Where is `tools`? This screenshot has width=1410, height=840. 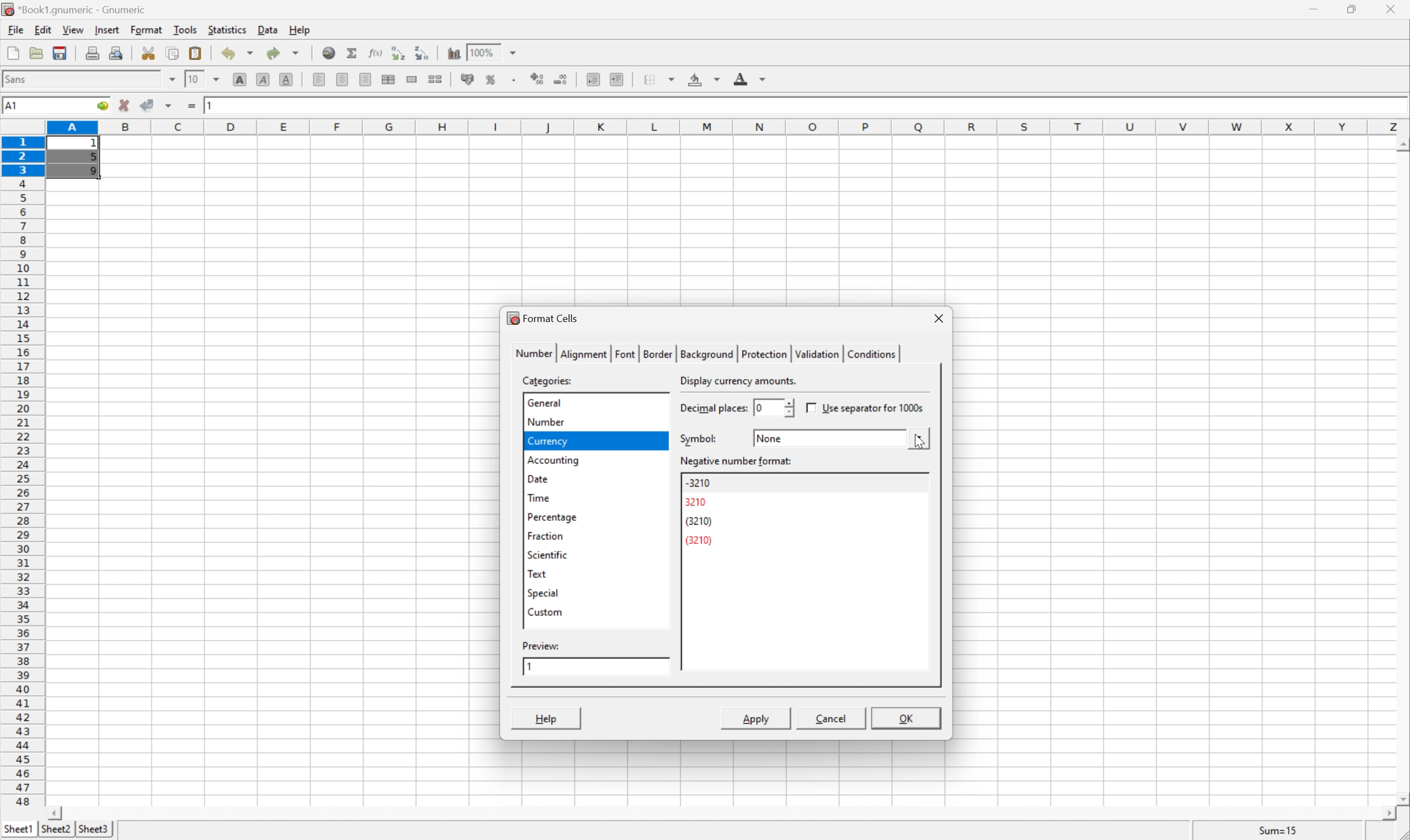 tools is located at coordinates (186, 29).